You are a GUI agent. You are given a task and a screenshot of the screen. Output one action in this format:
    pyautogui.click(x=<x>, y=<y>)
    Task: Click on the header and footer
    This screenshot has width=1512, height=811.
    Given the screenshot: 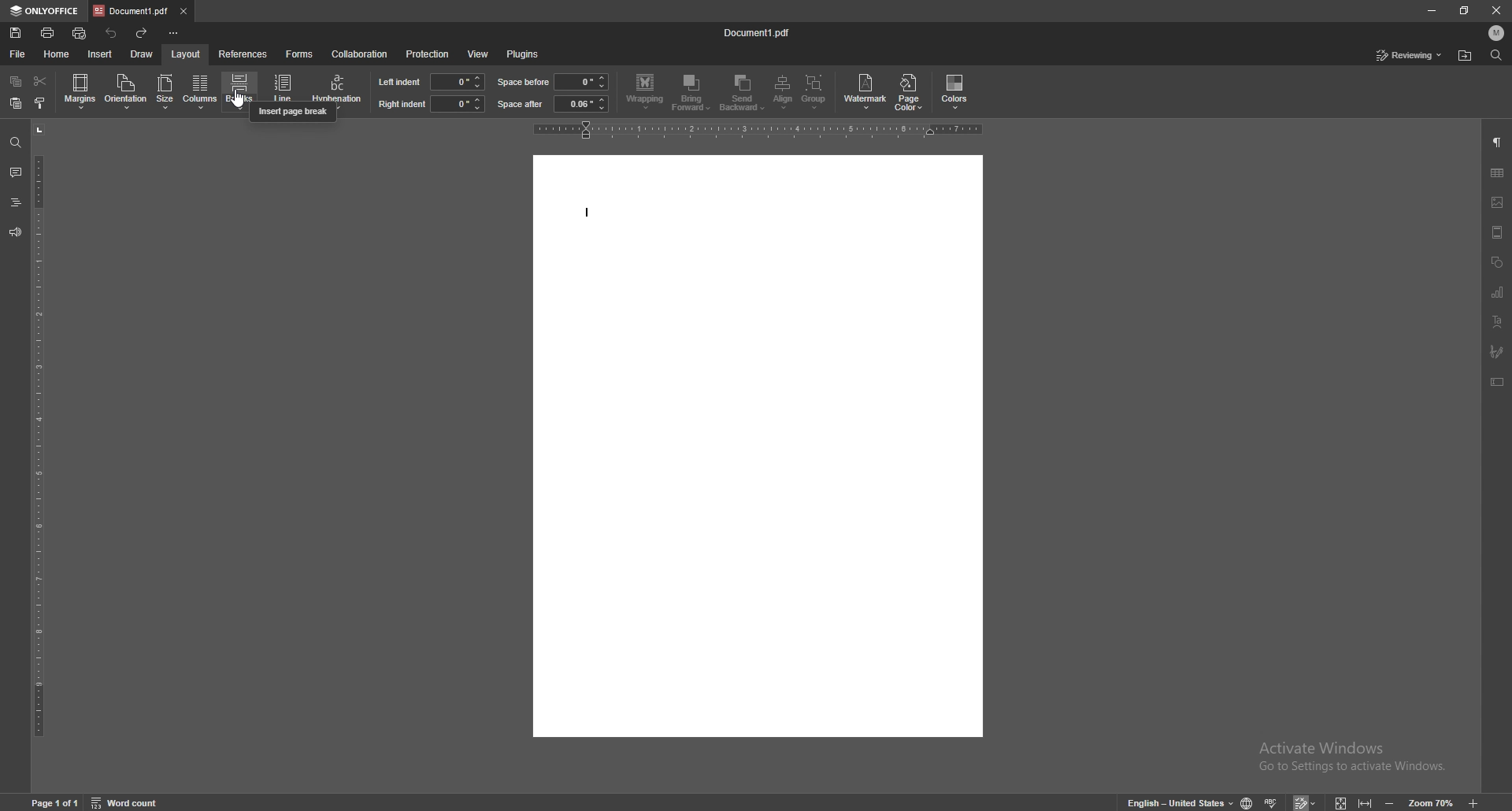 What is the action you would take?
    pyautogui.click(x=1495, y=231)
    